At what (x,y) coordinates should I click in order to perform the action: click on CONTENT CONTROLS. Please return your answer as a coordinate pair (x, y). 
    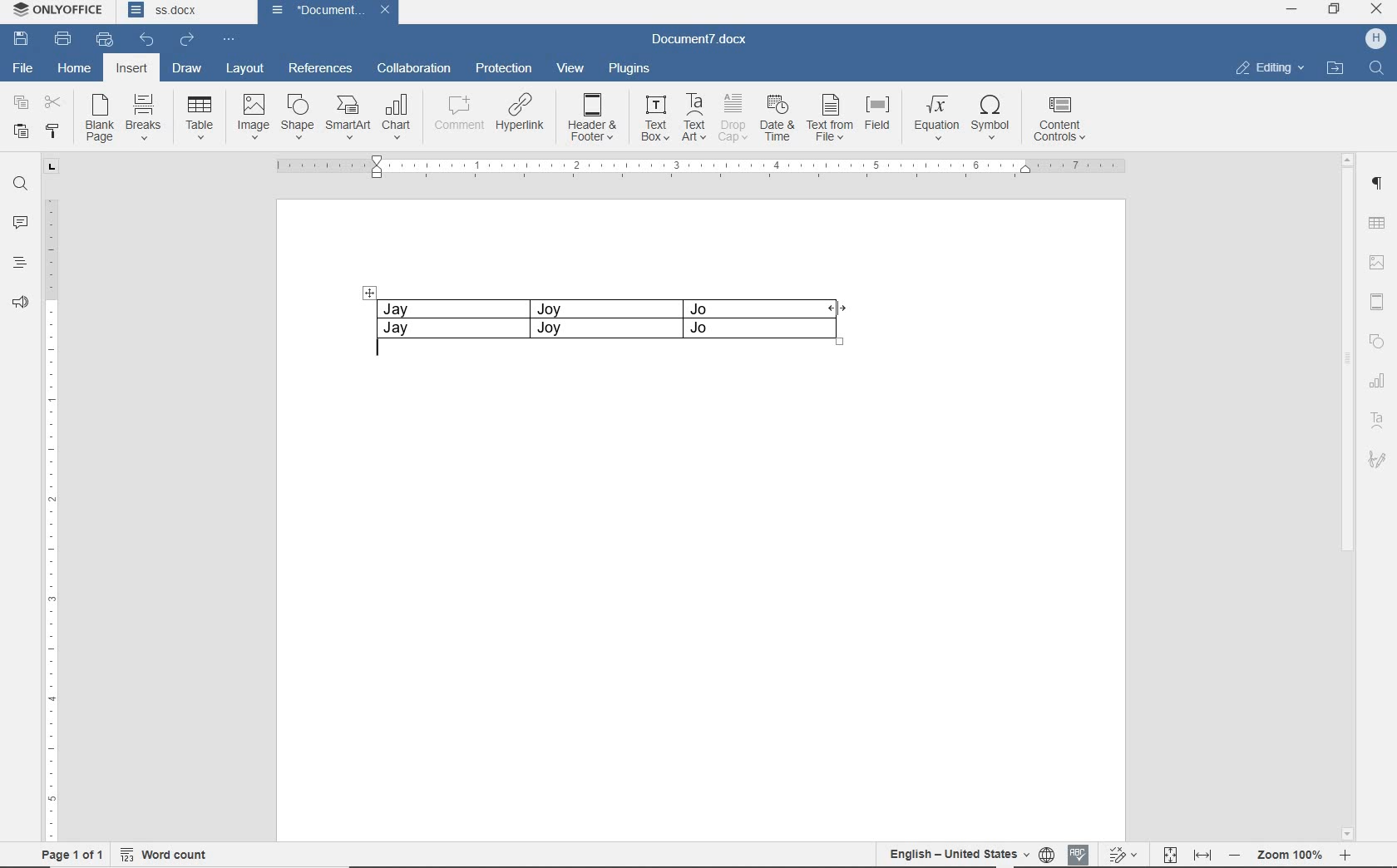
    Looking at the image, I should click on (1062, 120).